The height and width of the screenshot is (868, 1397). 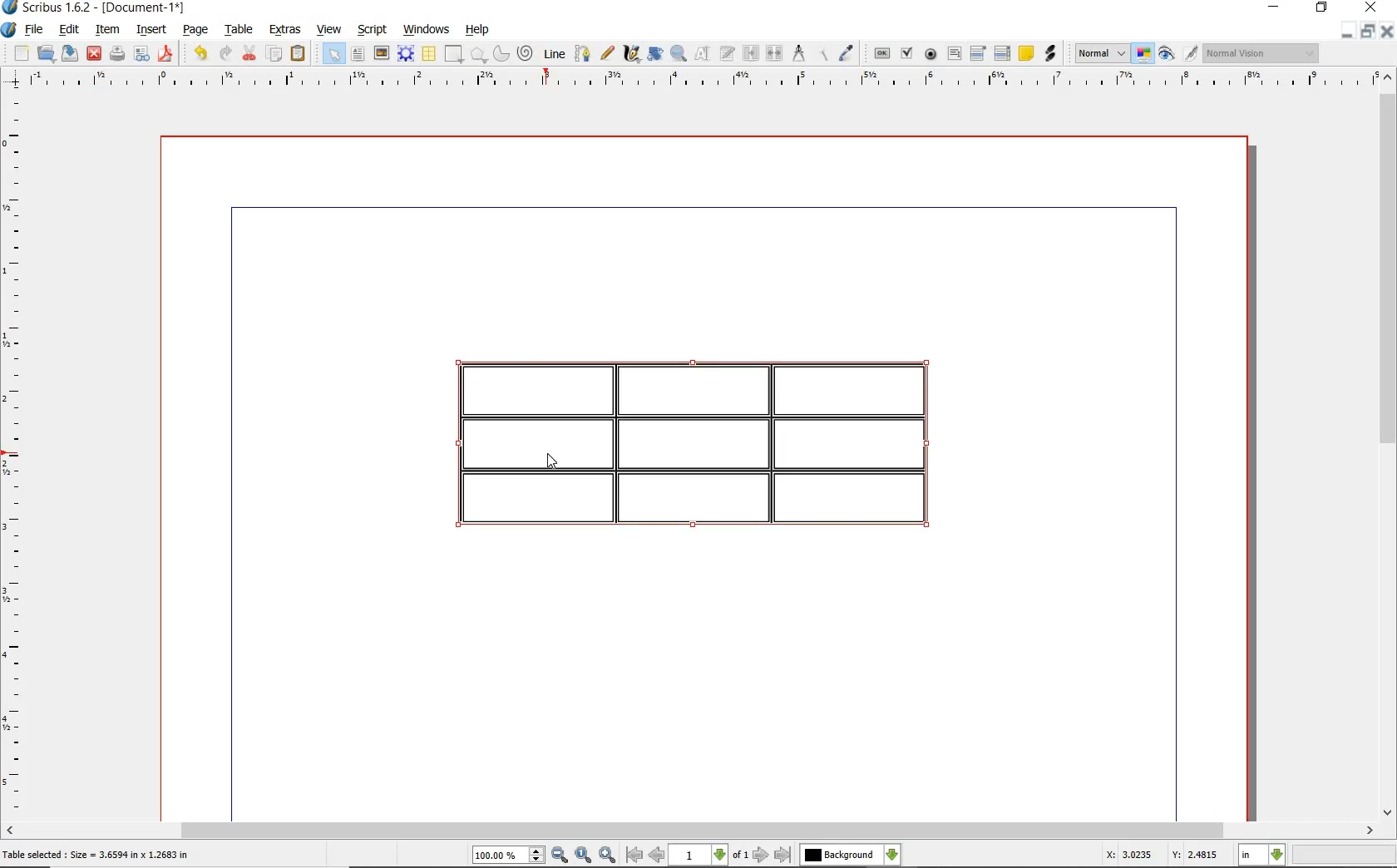 What do you see at coordinates (452, 55) in the screenshot?
I see `shape` at bounding box center [452, 55].